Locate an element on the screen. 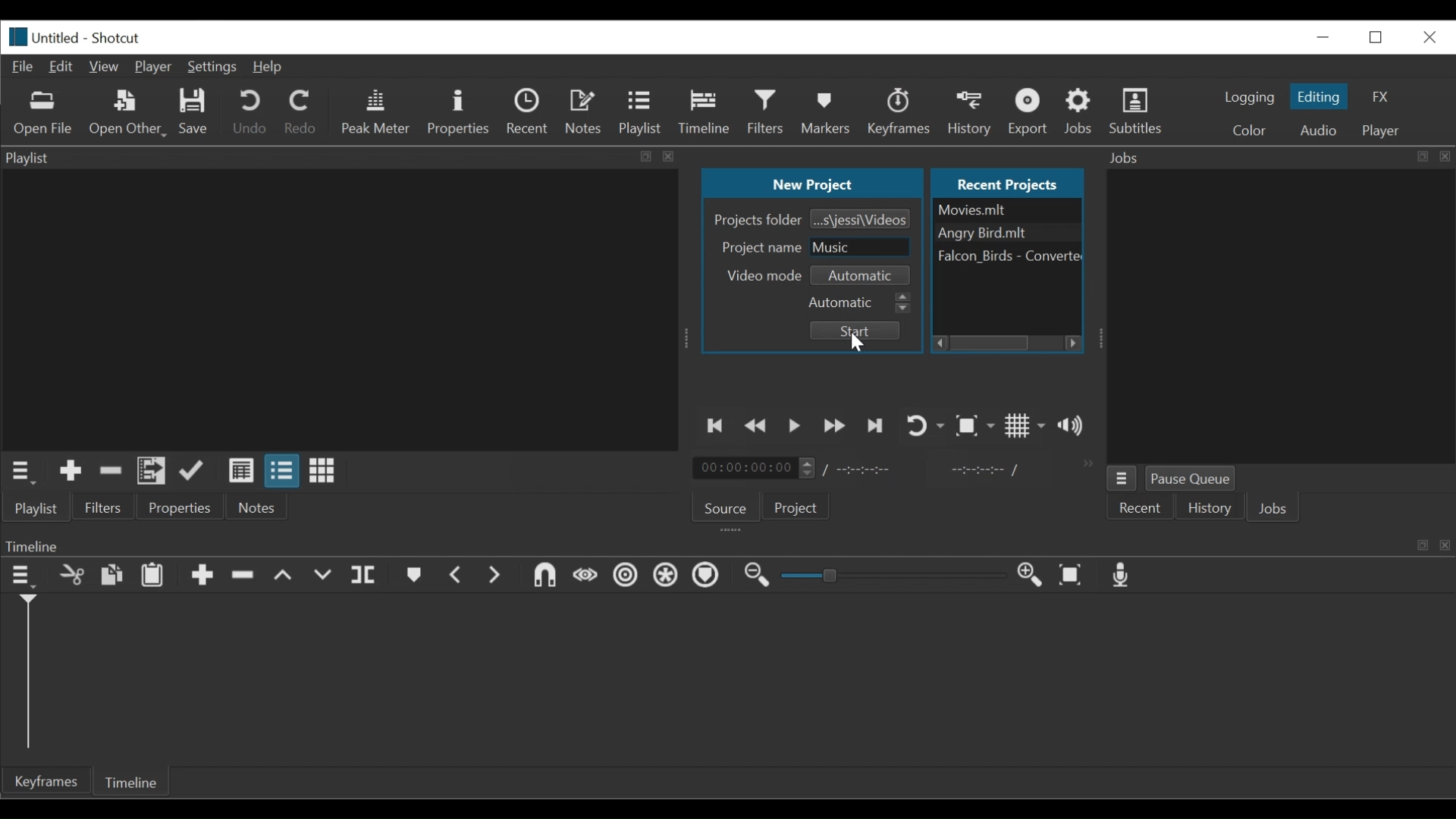  Ripple Delete is located at coordinates (247, 576).